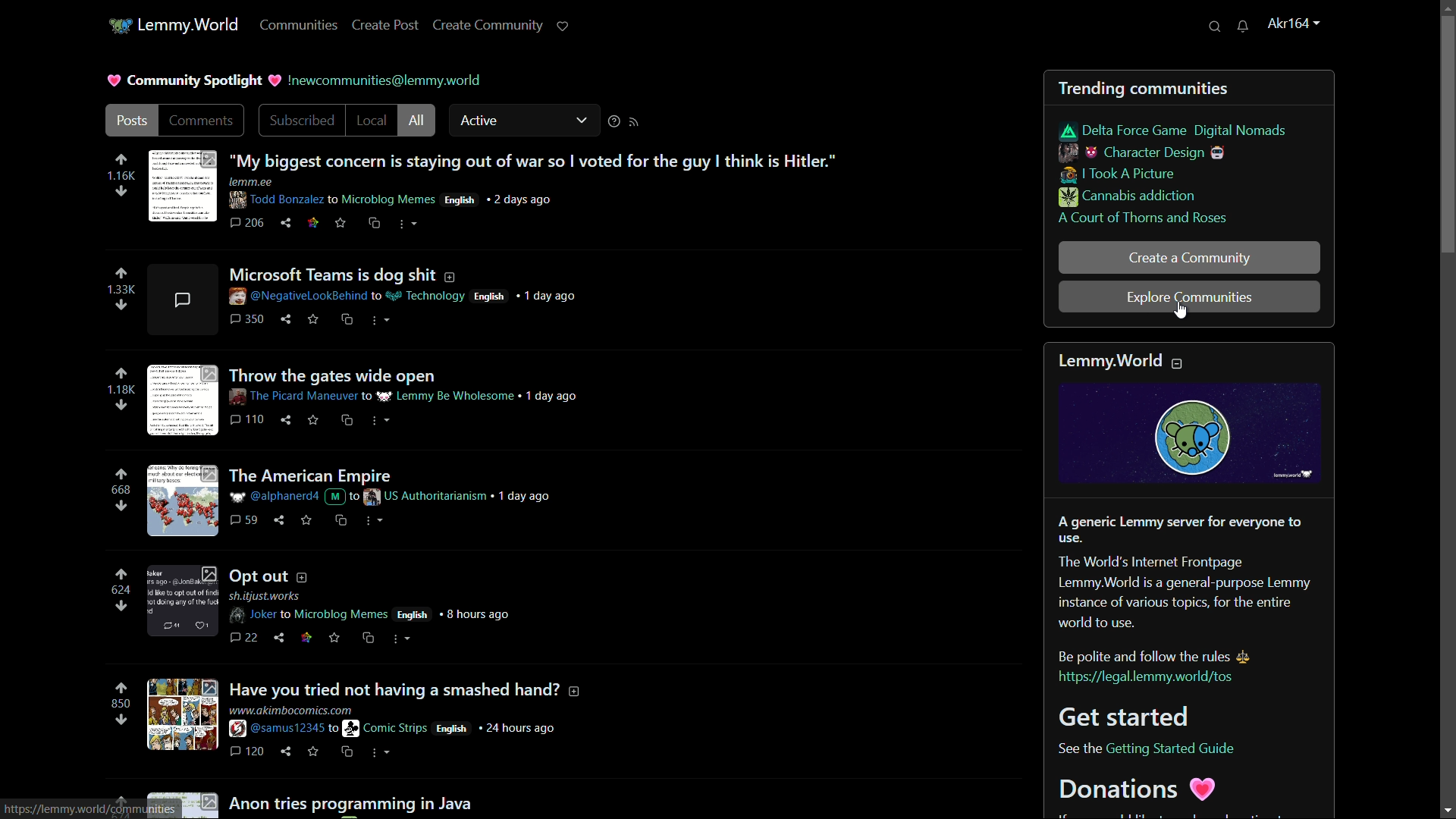 This screenshot has height=819, width=1456. I want to click on image, so click(184, 400).